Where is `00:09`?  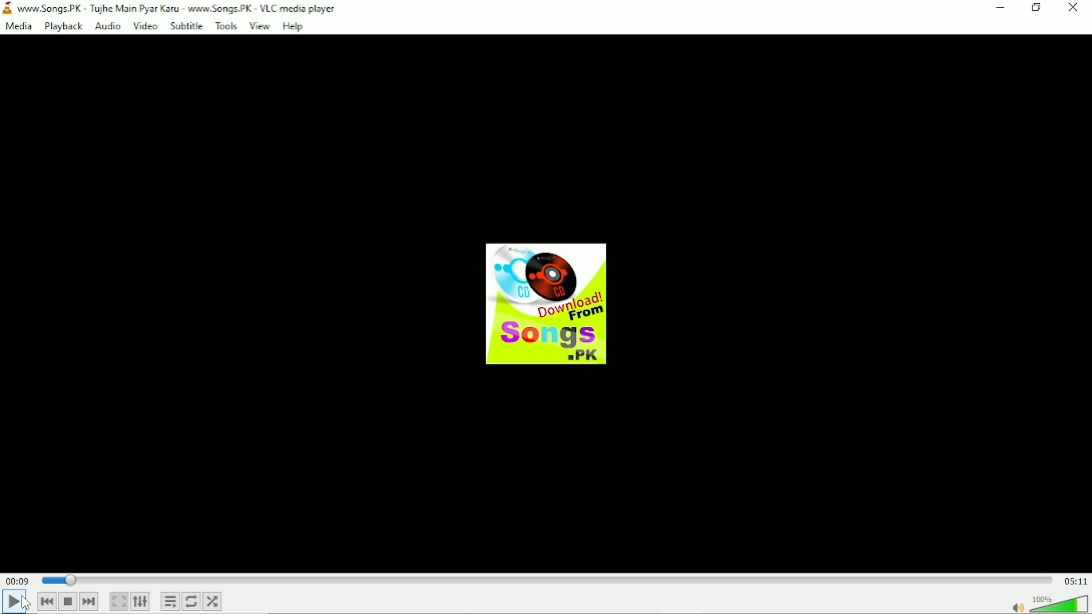 00:09 is located at coordinates (20, 577).